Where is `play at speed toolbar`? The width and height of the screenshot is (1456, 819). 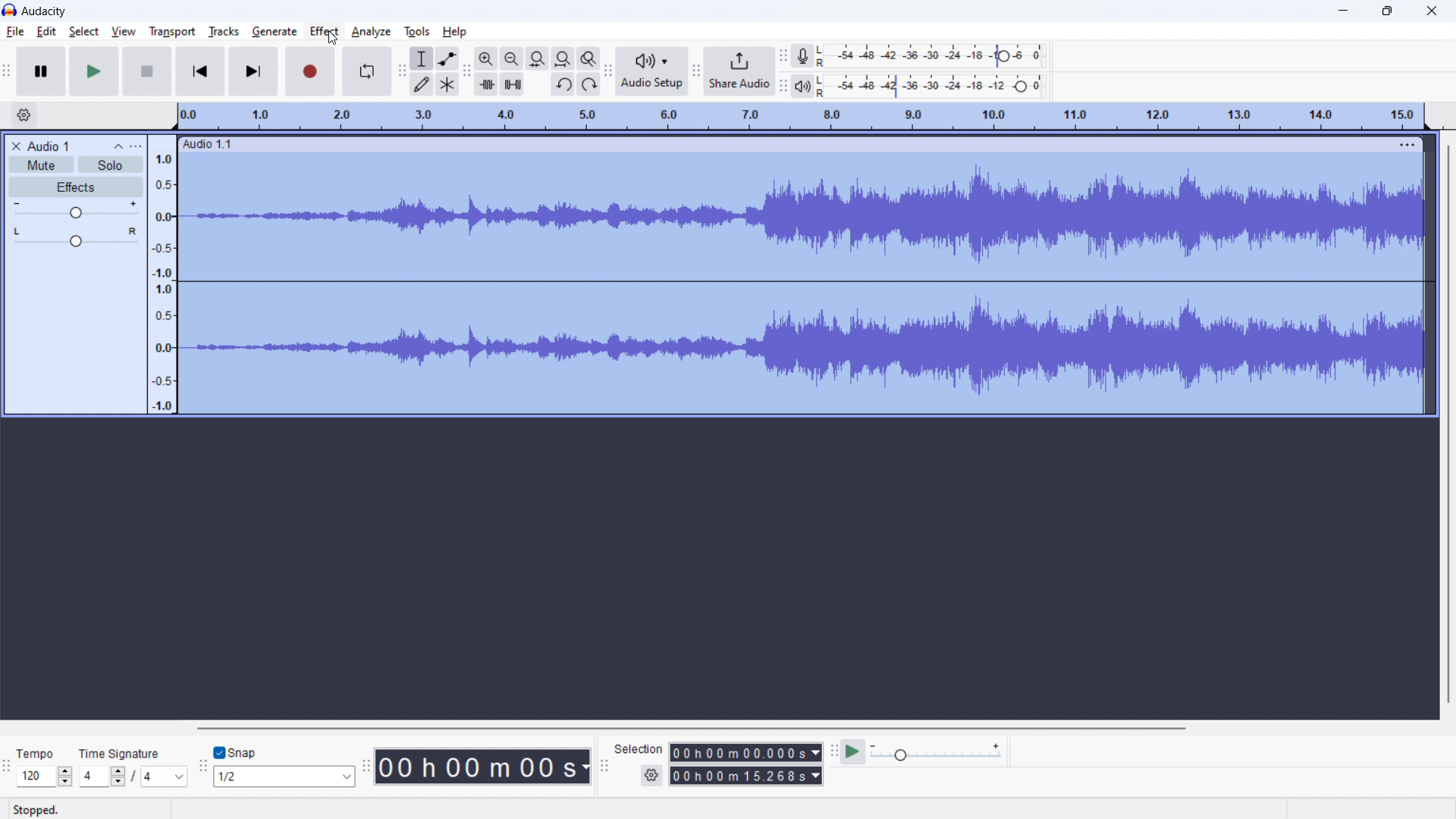
play at speed toolbar is located at coordinates (833, 752).